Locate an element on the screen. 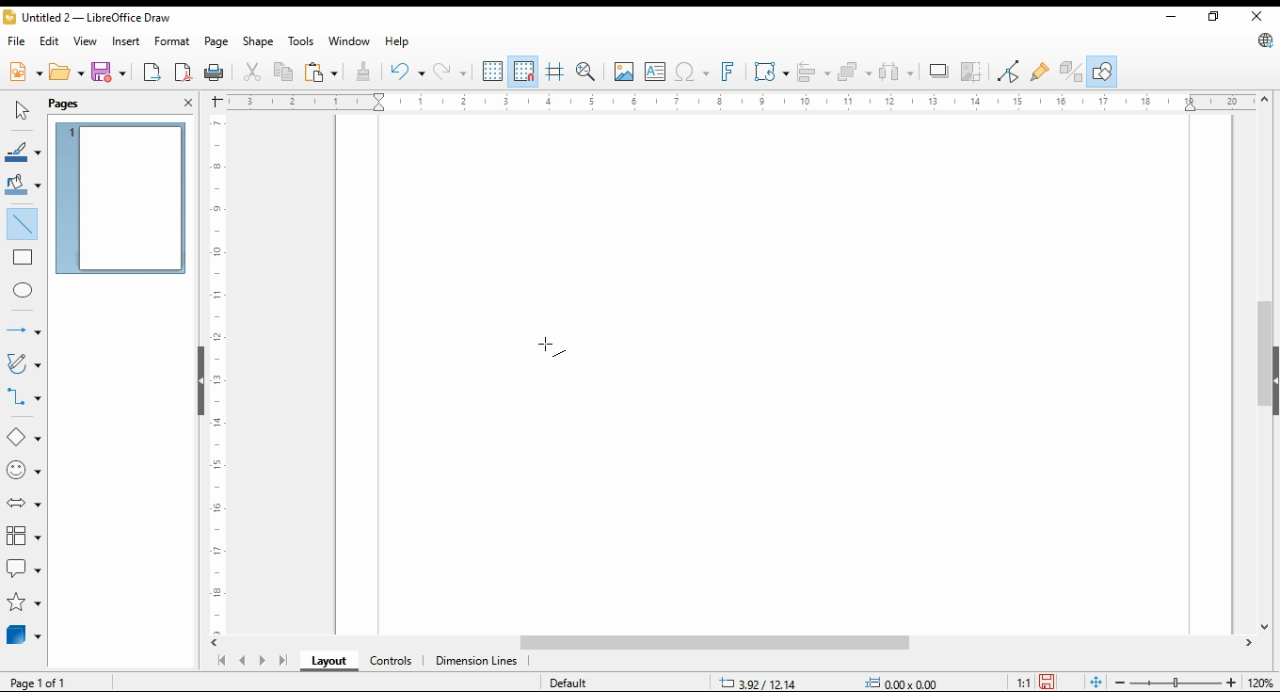 The image size is (1280, 692). insert line is located at coordinates (24, 224).